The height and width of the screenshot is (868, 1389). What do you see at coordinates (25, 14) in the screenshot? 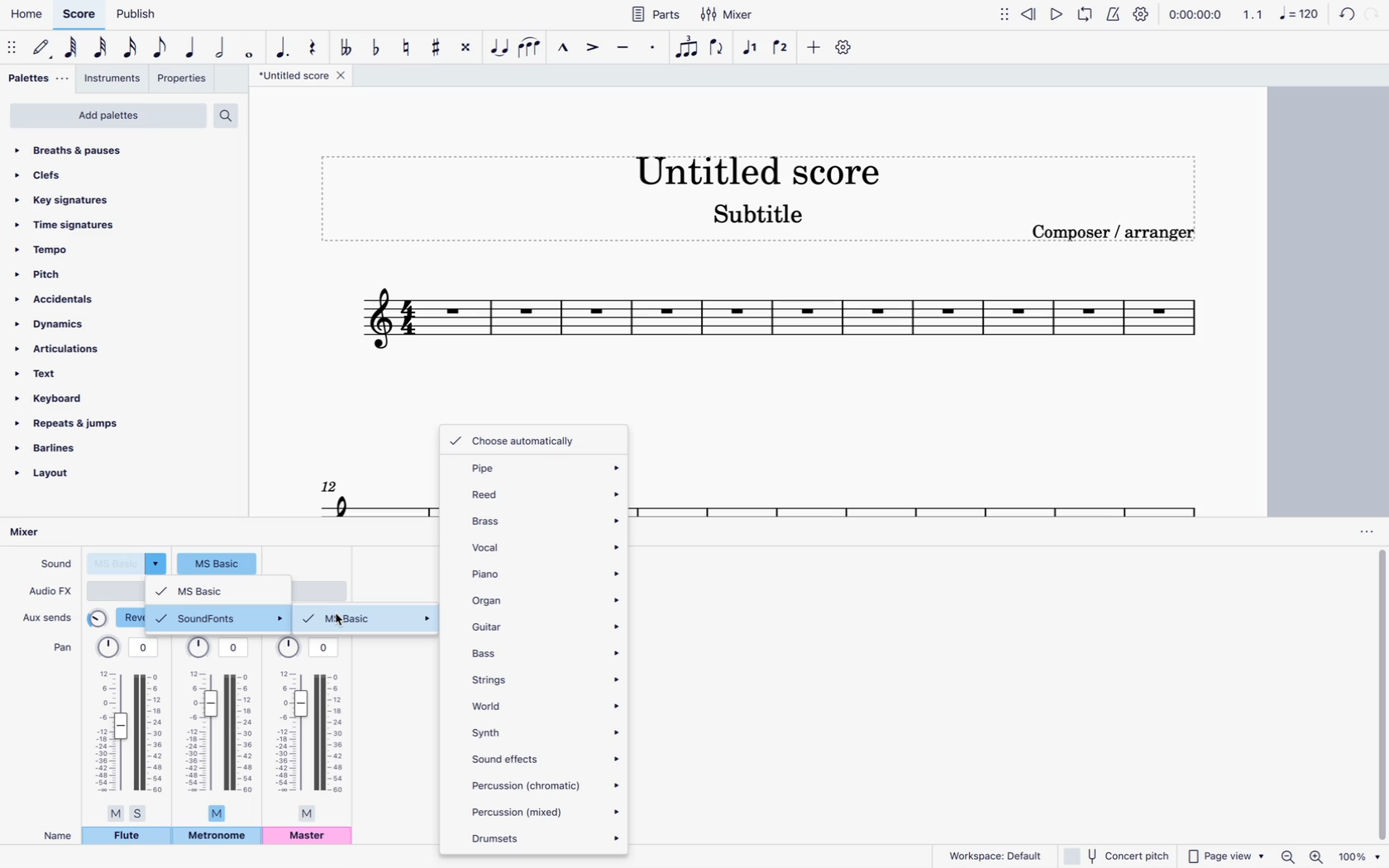
I see `home` at bounding box center [25, 14].